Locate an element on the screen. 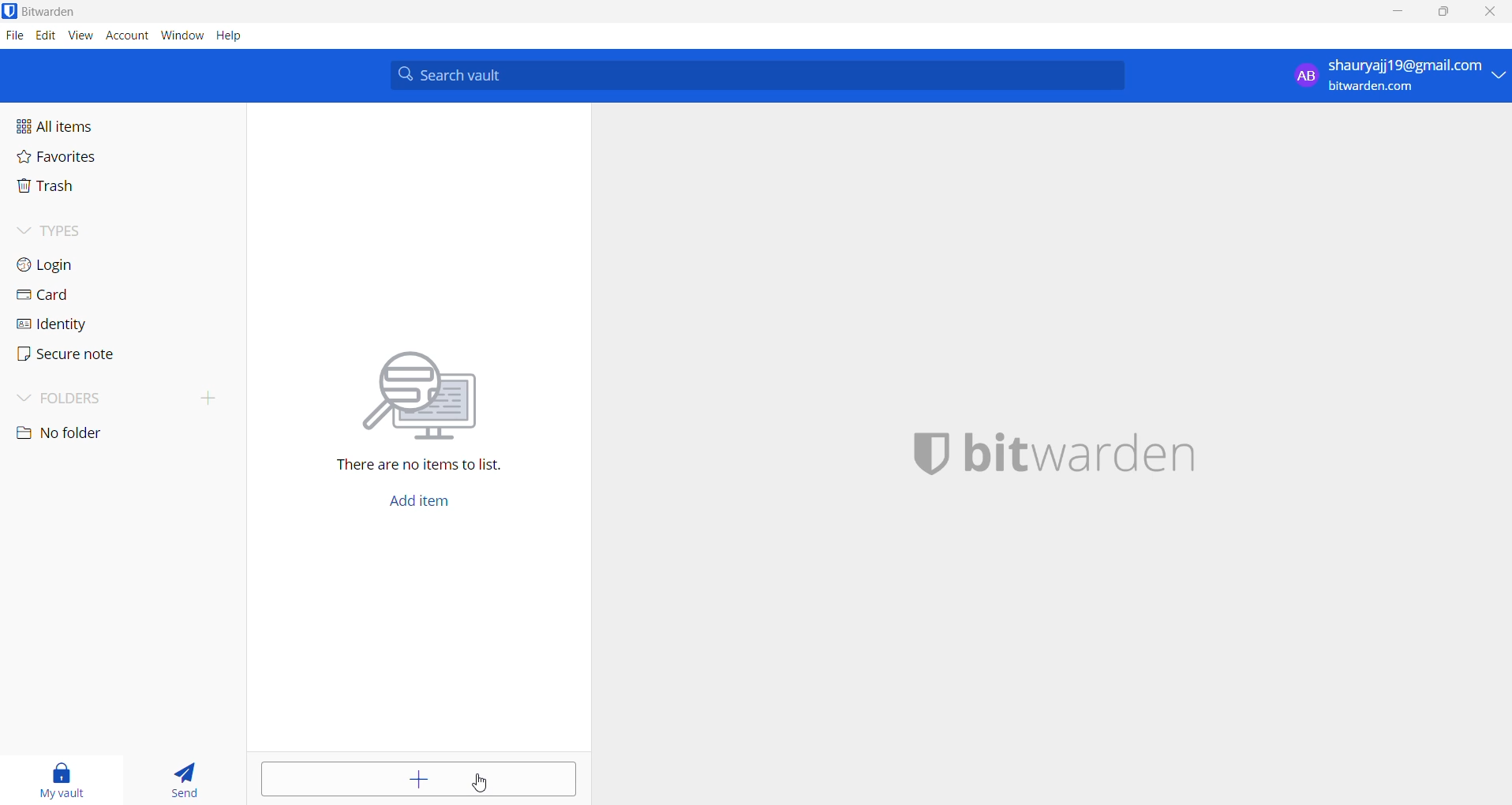  file is located at coordinates (13, 36).